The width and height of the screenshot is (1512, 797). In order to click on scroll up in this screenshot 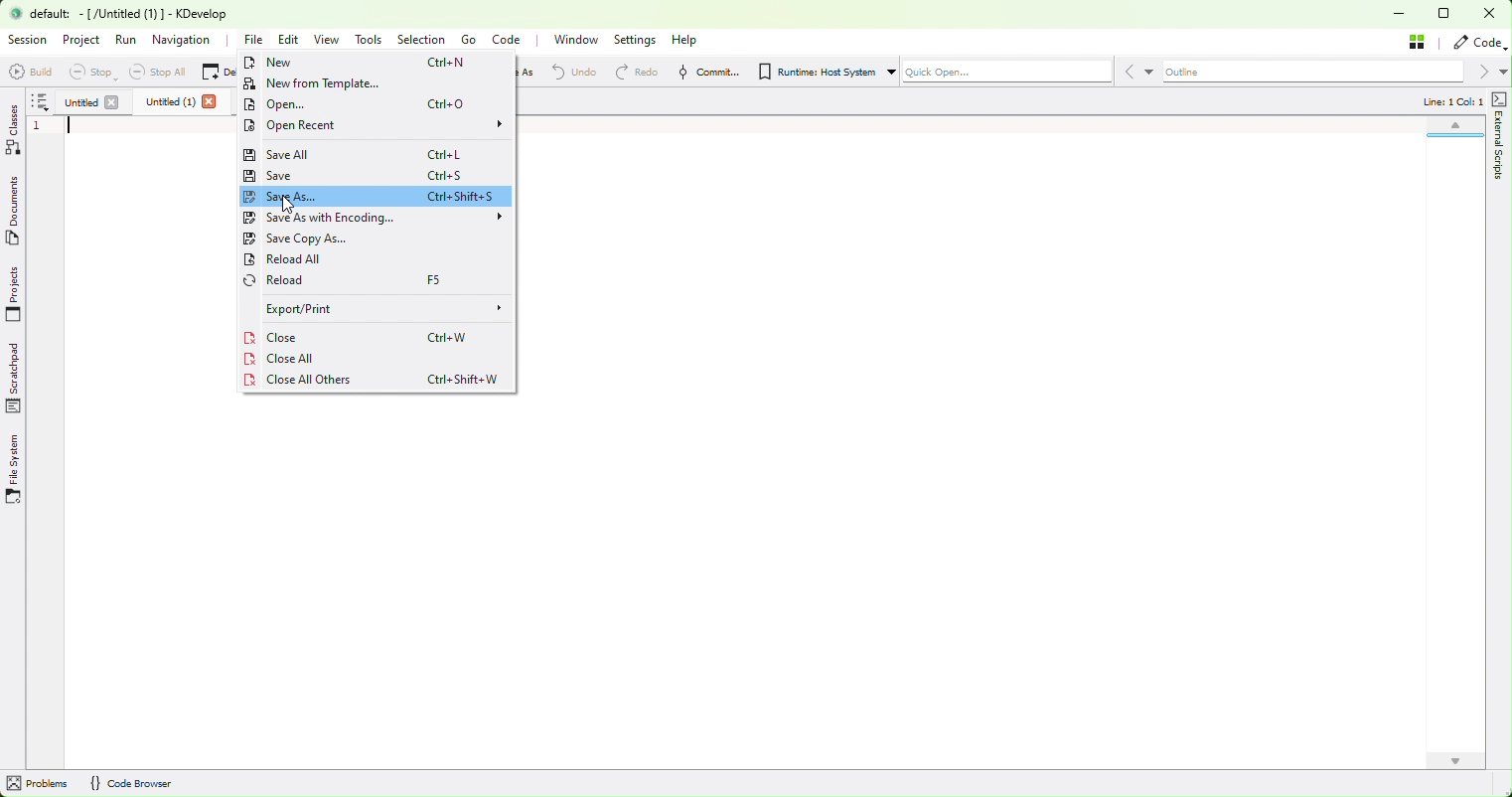, I will do `click(1453, 128)`.